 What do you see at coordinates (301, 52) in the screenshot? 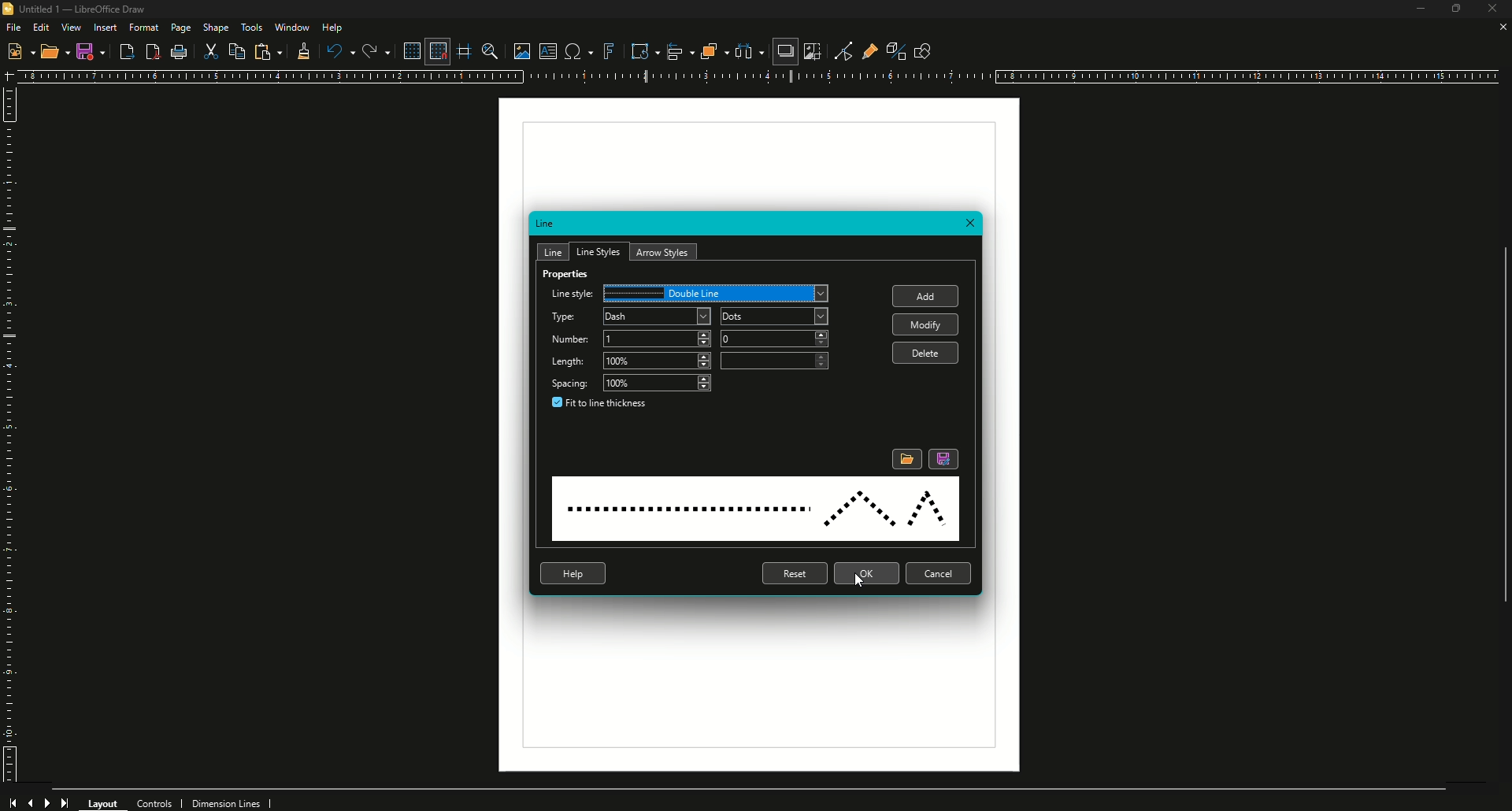
I see `Clone formatting` at bounding box center [301, 52].